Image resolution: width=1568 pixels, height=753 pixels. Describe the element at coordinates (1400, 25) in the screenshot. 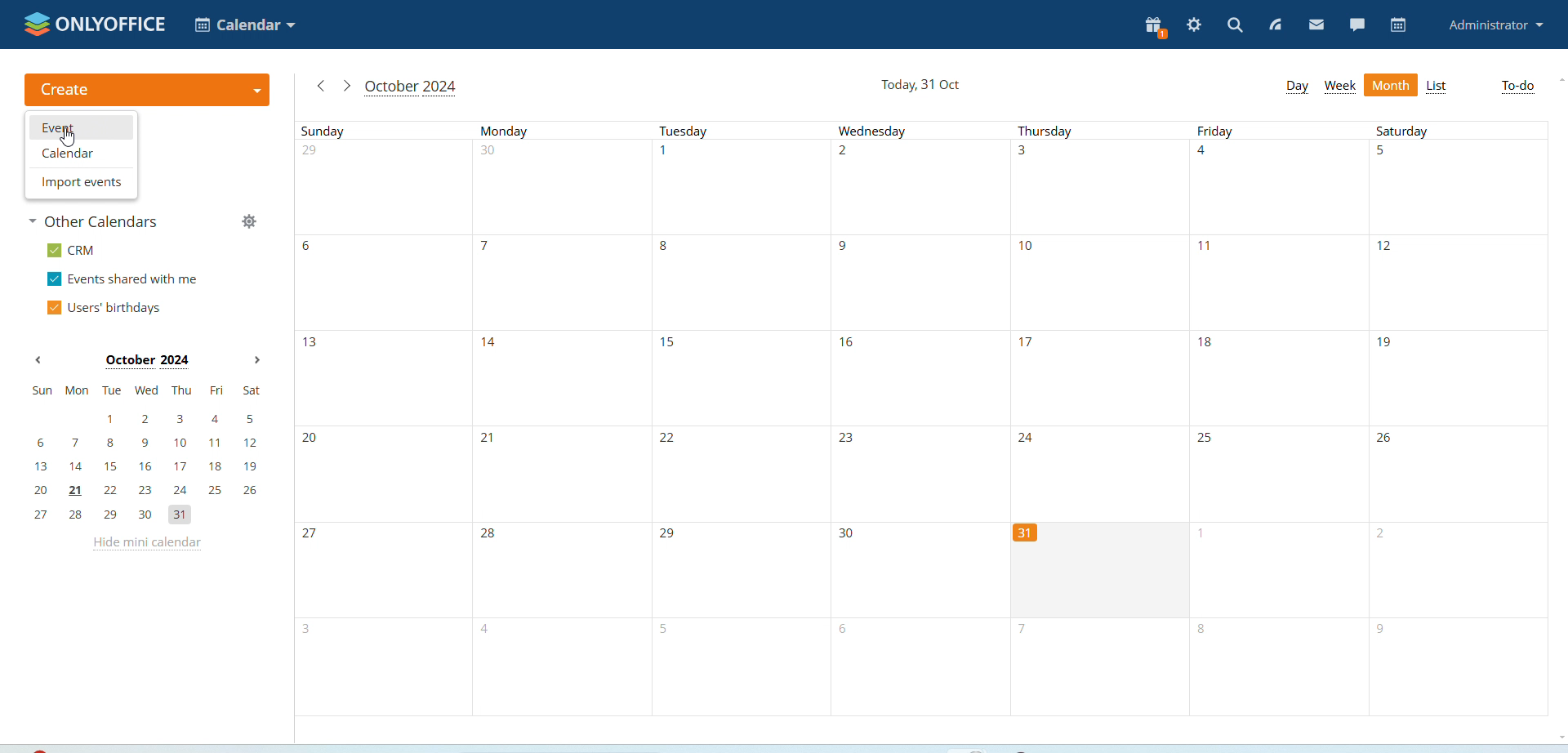

I see `calendar` at that location.